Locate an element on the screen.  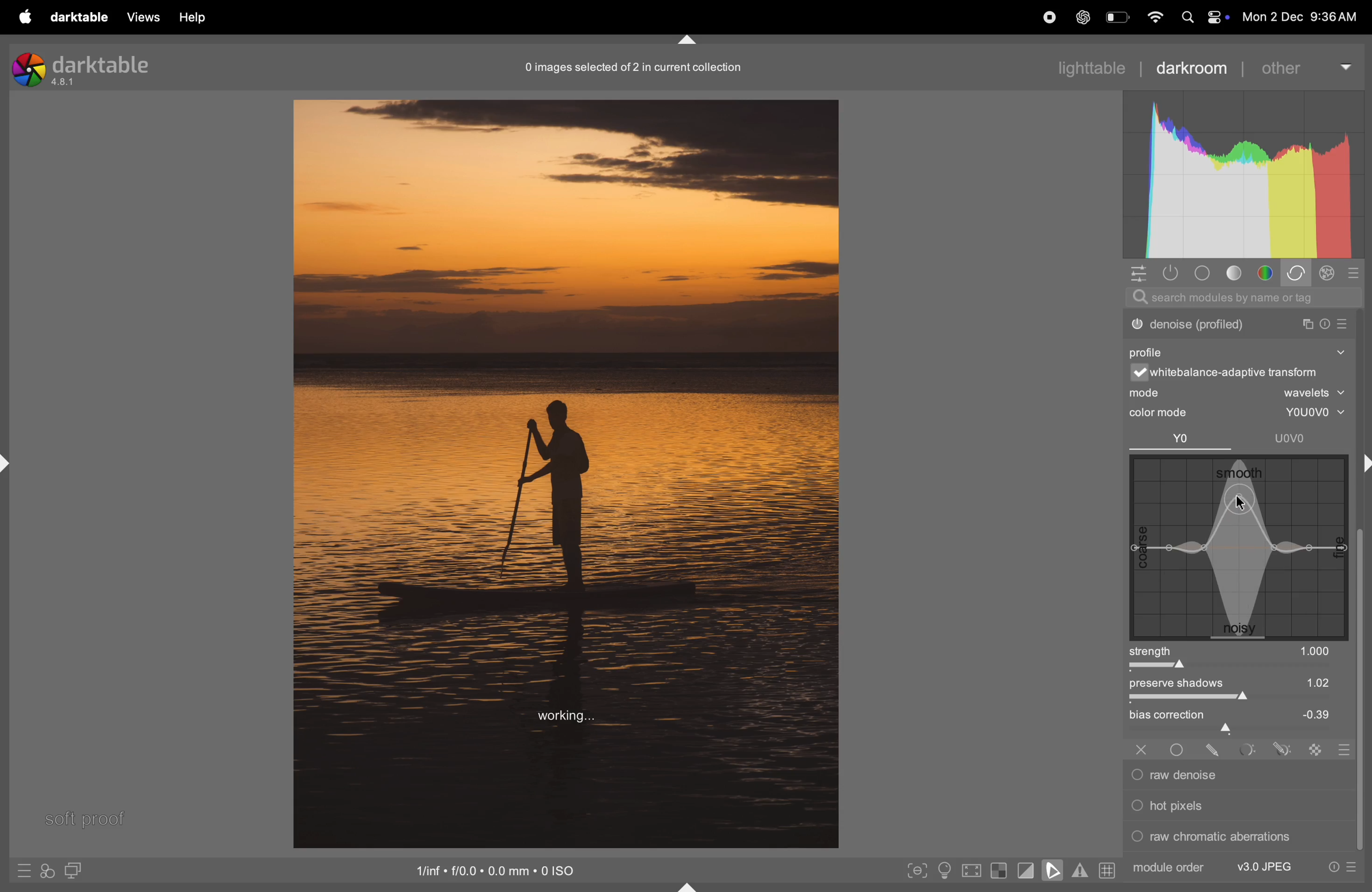
color mode is located at coordinates (1170, 413).